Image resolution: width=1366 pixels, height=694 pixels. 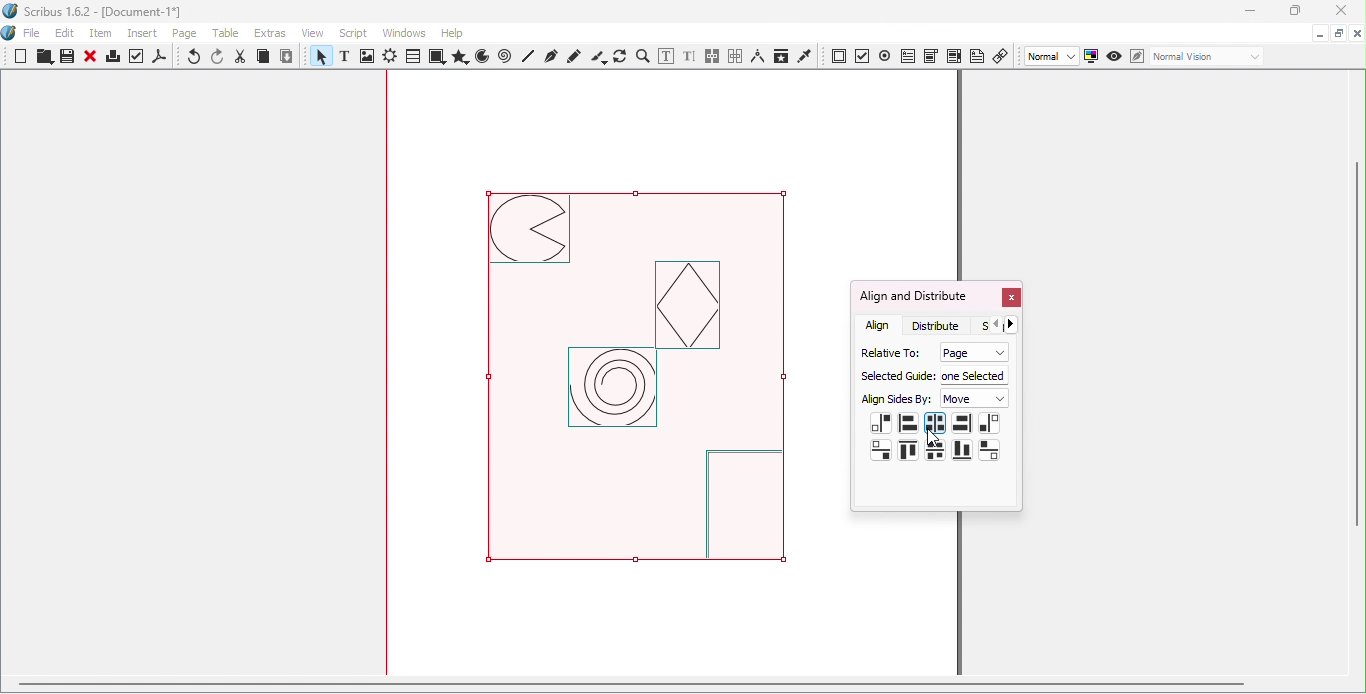 I want to click on Close, so click(x=1010, y=299).